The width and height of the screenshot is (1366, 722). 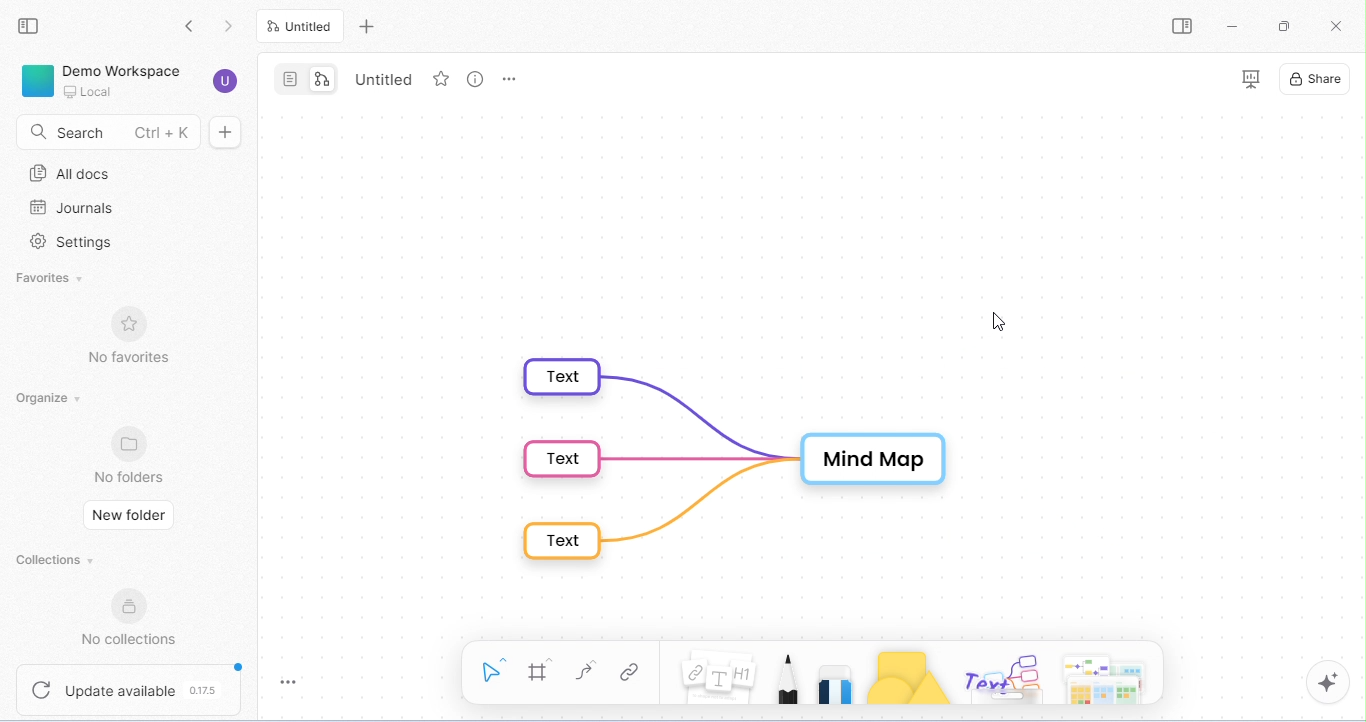 What do you see at coordinates (1235, 26) in the screenshot?
I see `minimize` at bounding box center [1235, 26].